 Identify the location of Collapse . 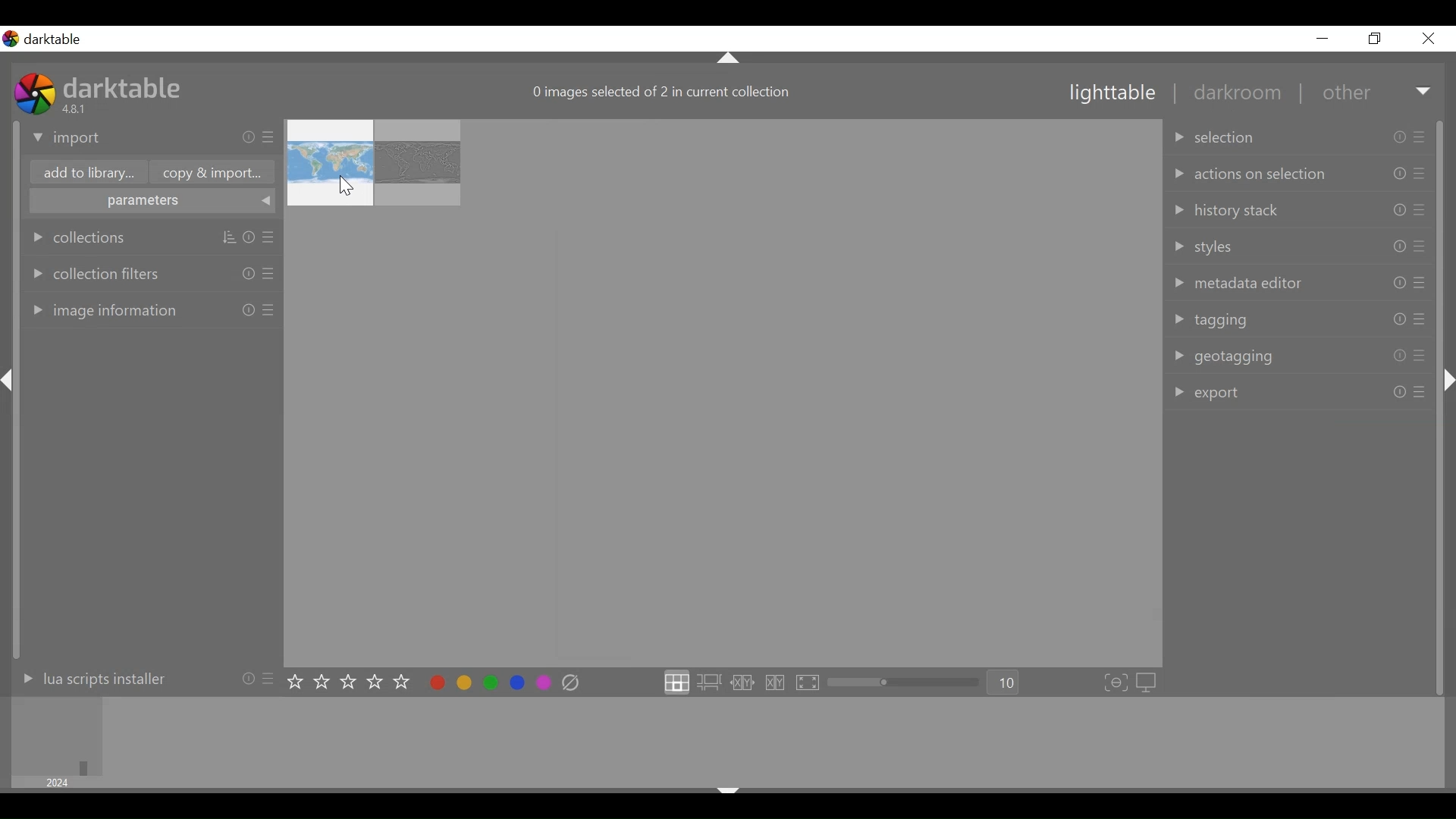
(730, 57).